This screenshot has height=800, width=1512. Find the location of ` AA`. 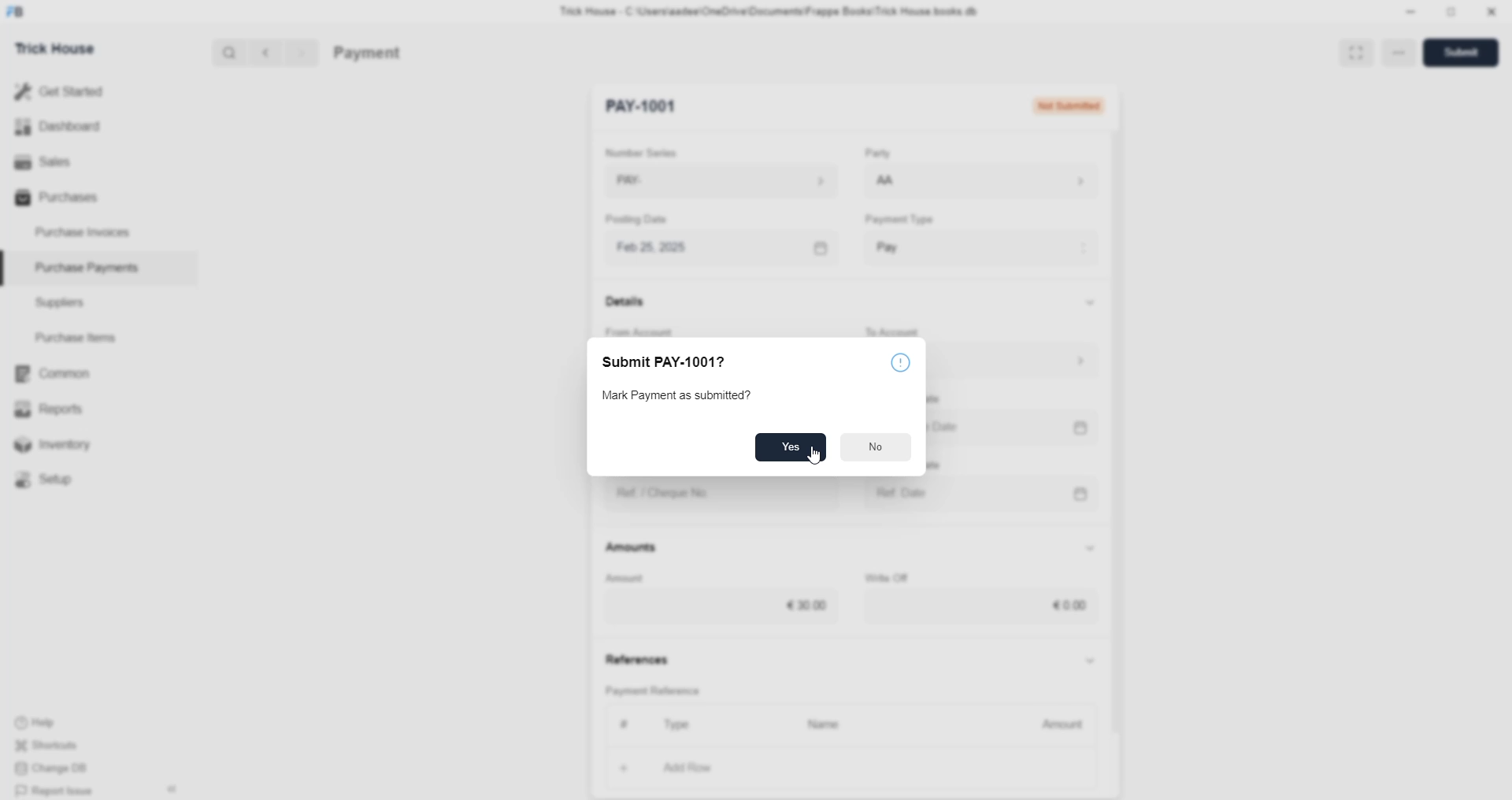

 AA is located at coordinates (890, 182).